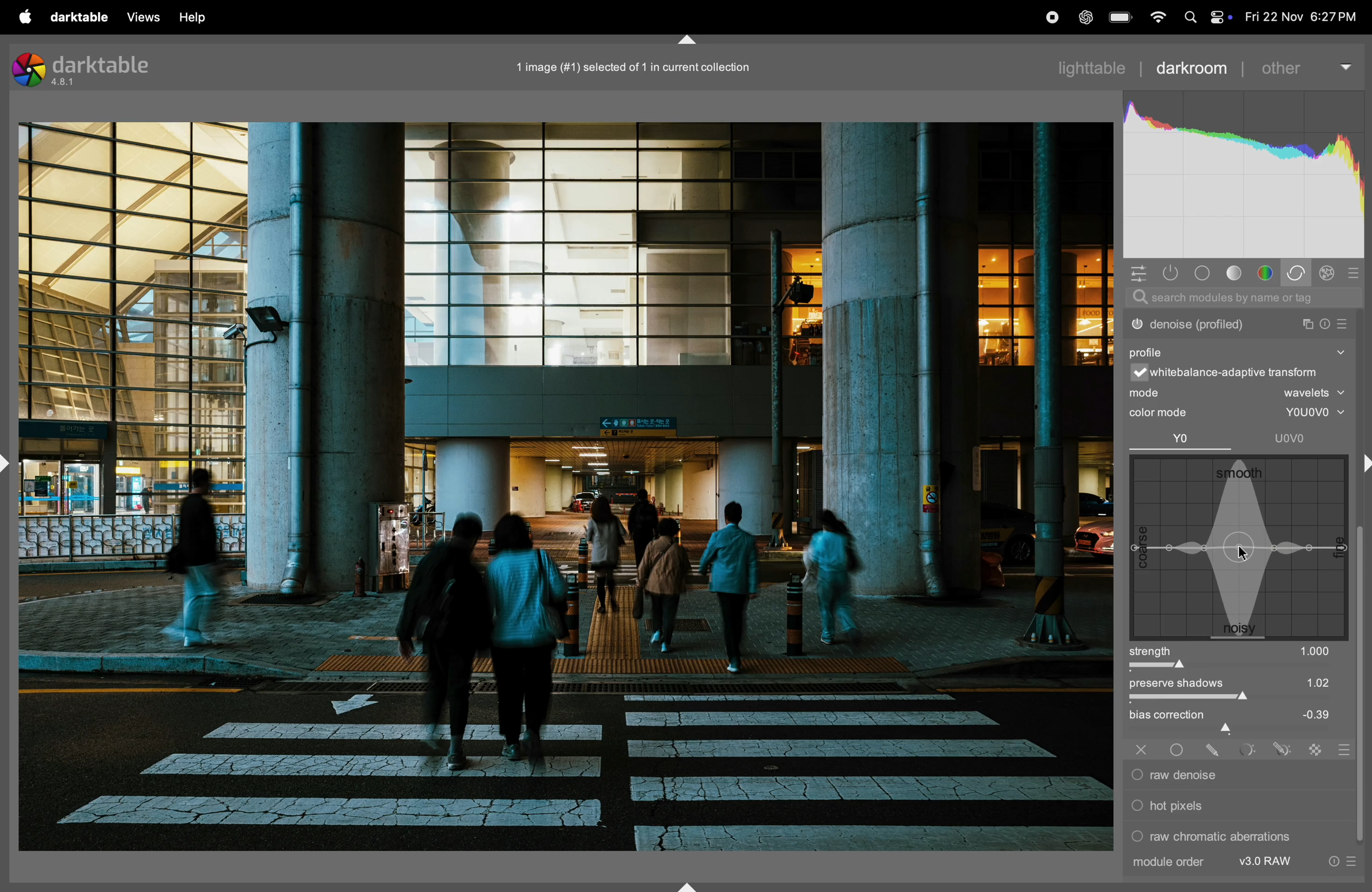 This screenshot has height=892, width=1372. Describe the element at coordinates (1204, 273) in the screenshot. I see `tone` at that location.